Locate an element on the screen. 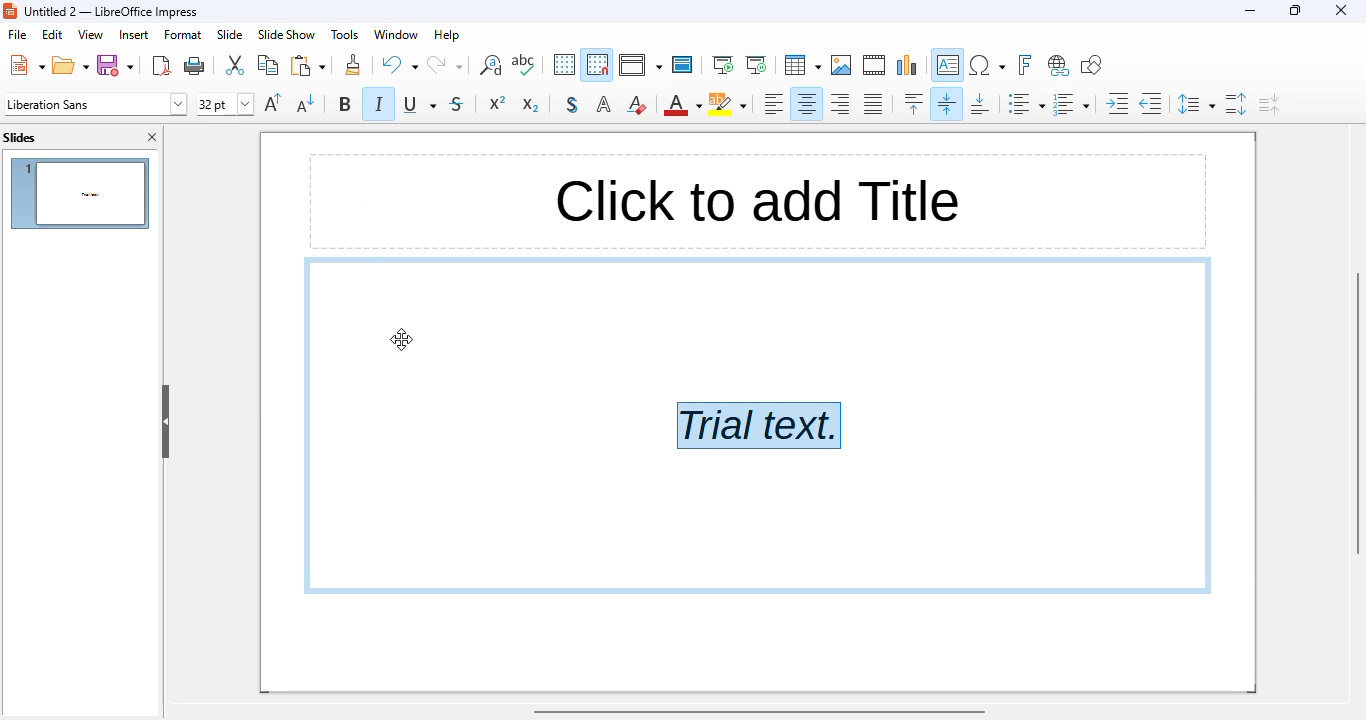 The image size is (1366, 720). increase font size is located at coordinates (273, 102).